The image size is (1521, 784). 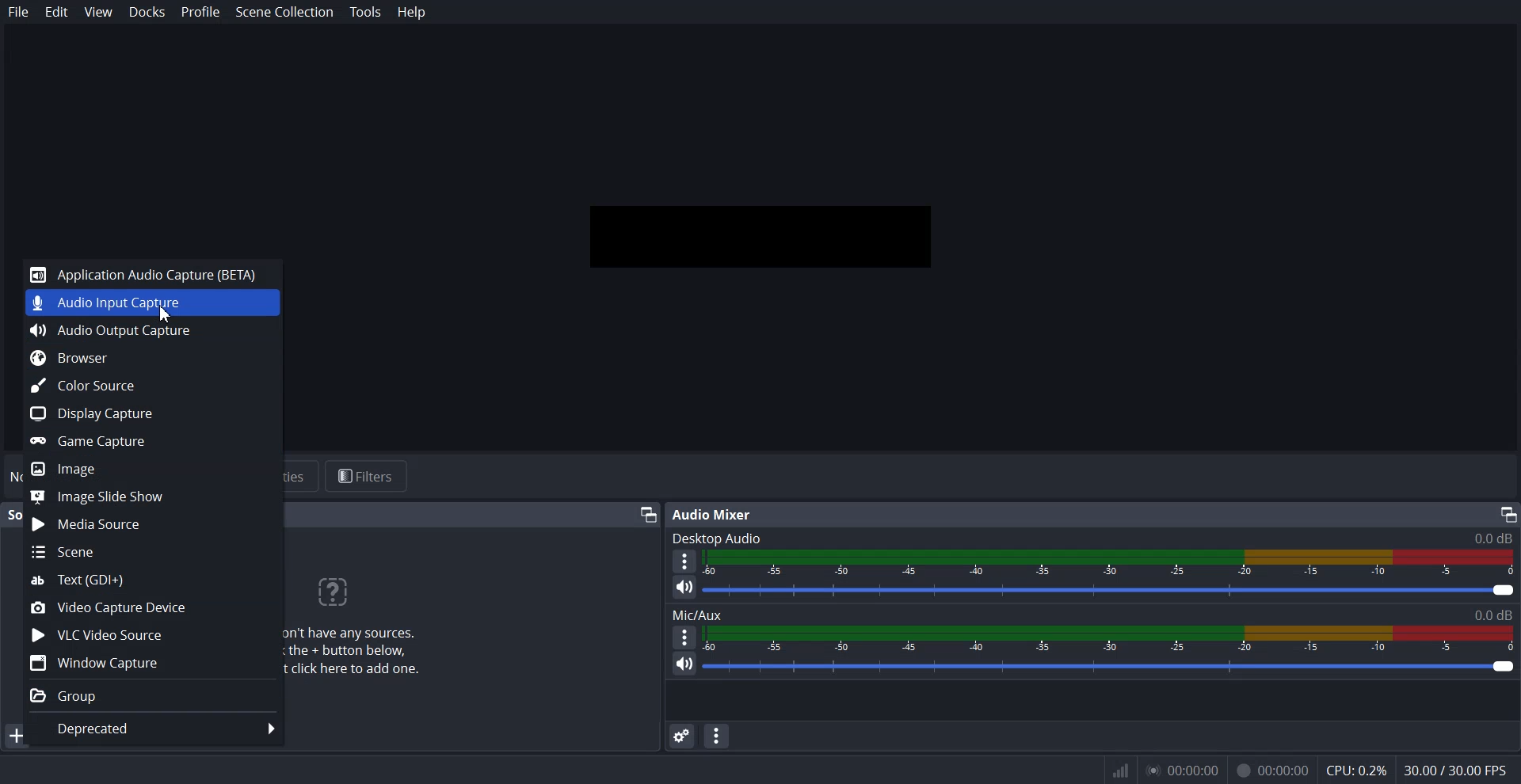 What do you see at coordinates (1111, 666) in the screenshot?
I see `Volume level adjuster` at bounding box center [1111, 666].